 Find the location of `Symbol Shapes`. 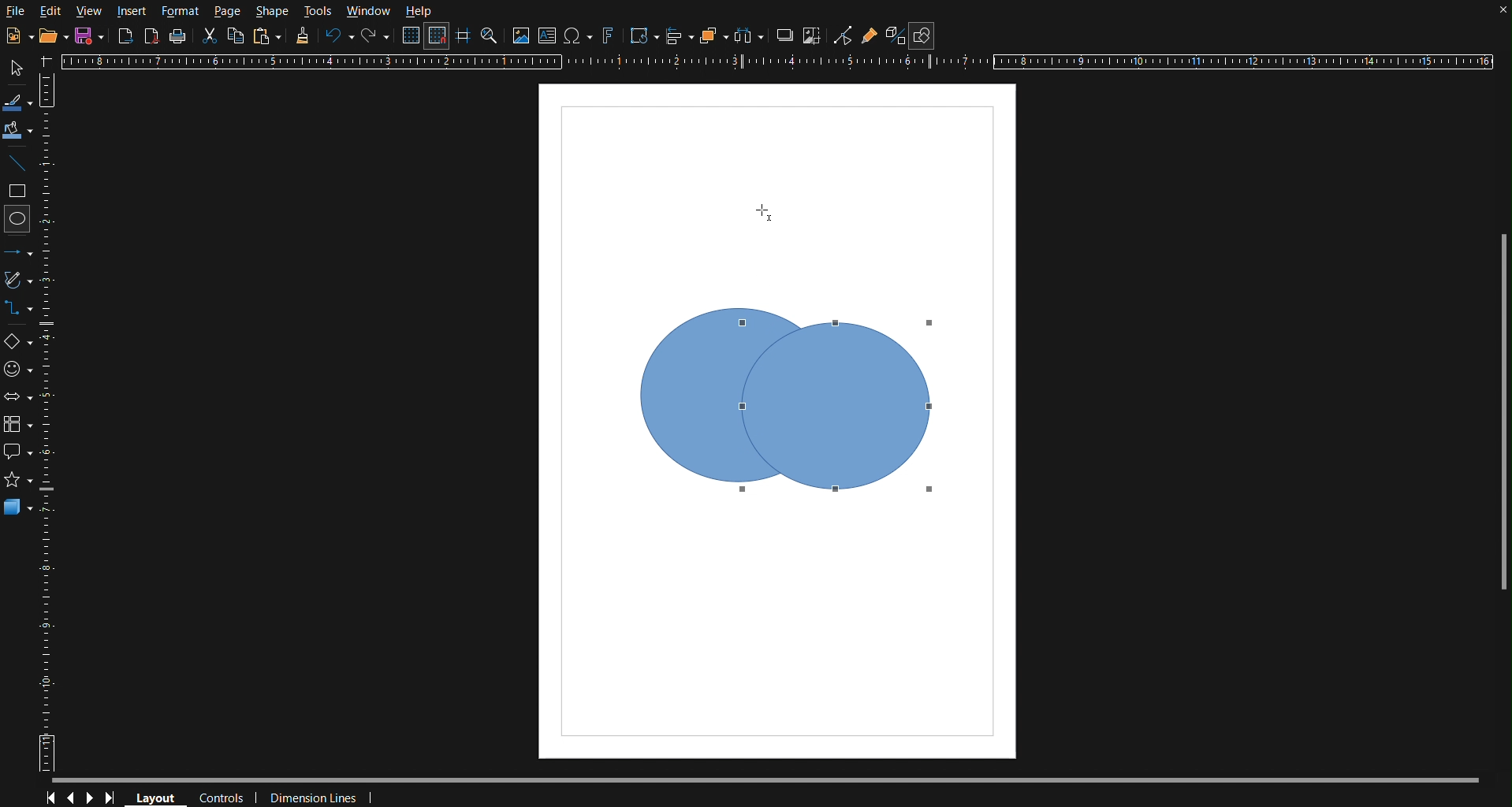

Symbol Shapes is located at coordinates (18, 373).